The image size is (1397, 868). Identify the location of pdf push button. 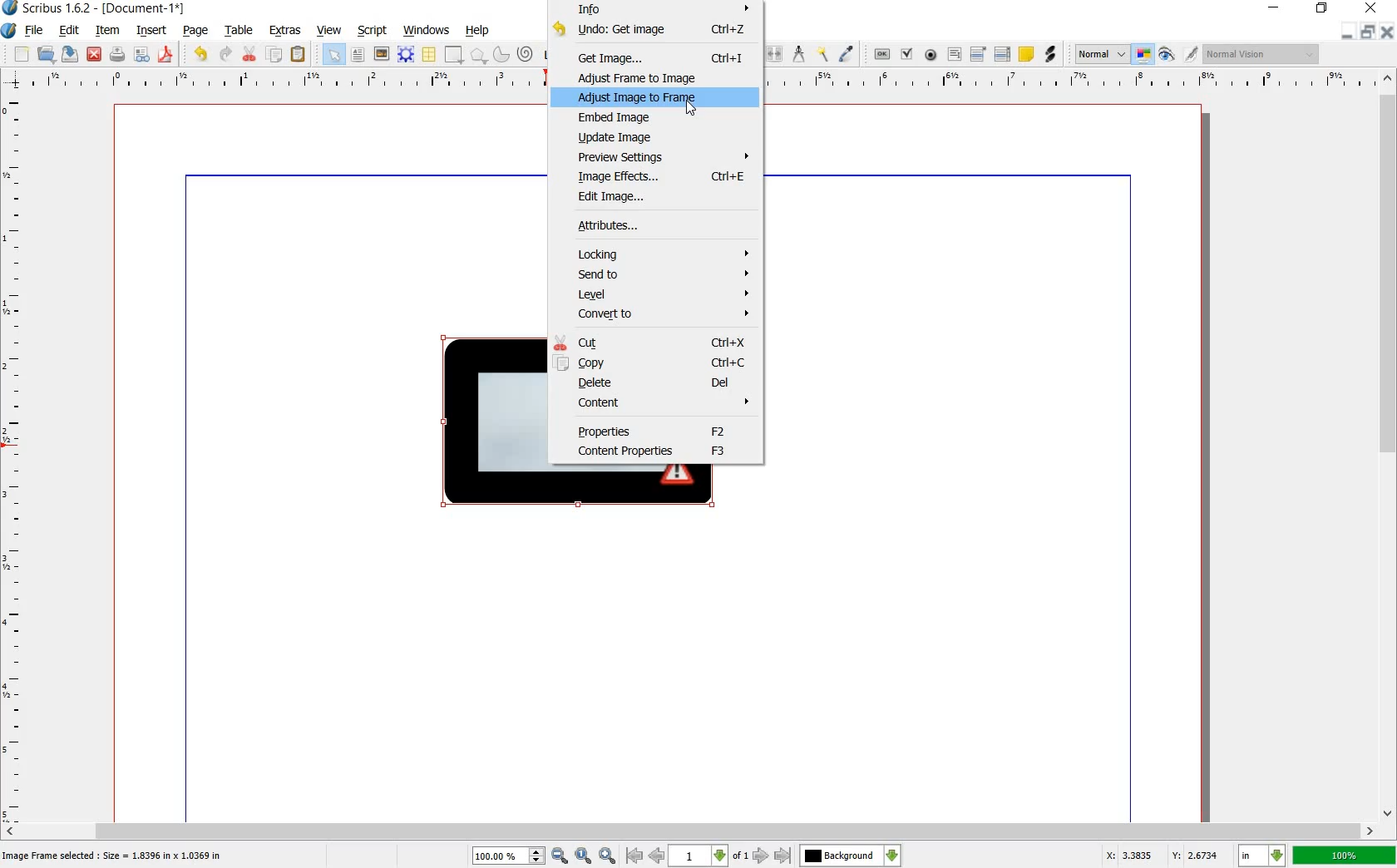
(877, 54).